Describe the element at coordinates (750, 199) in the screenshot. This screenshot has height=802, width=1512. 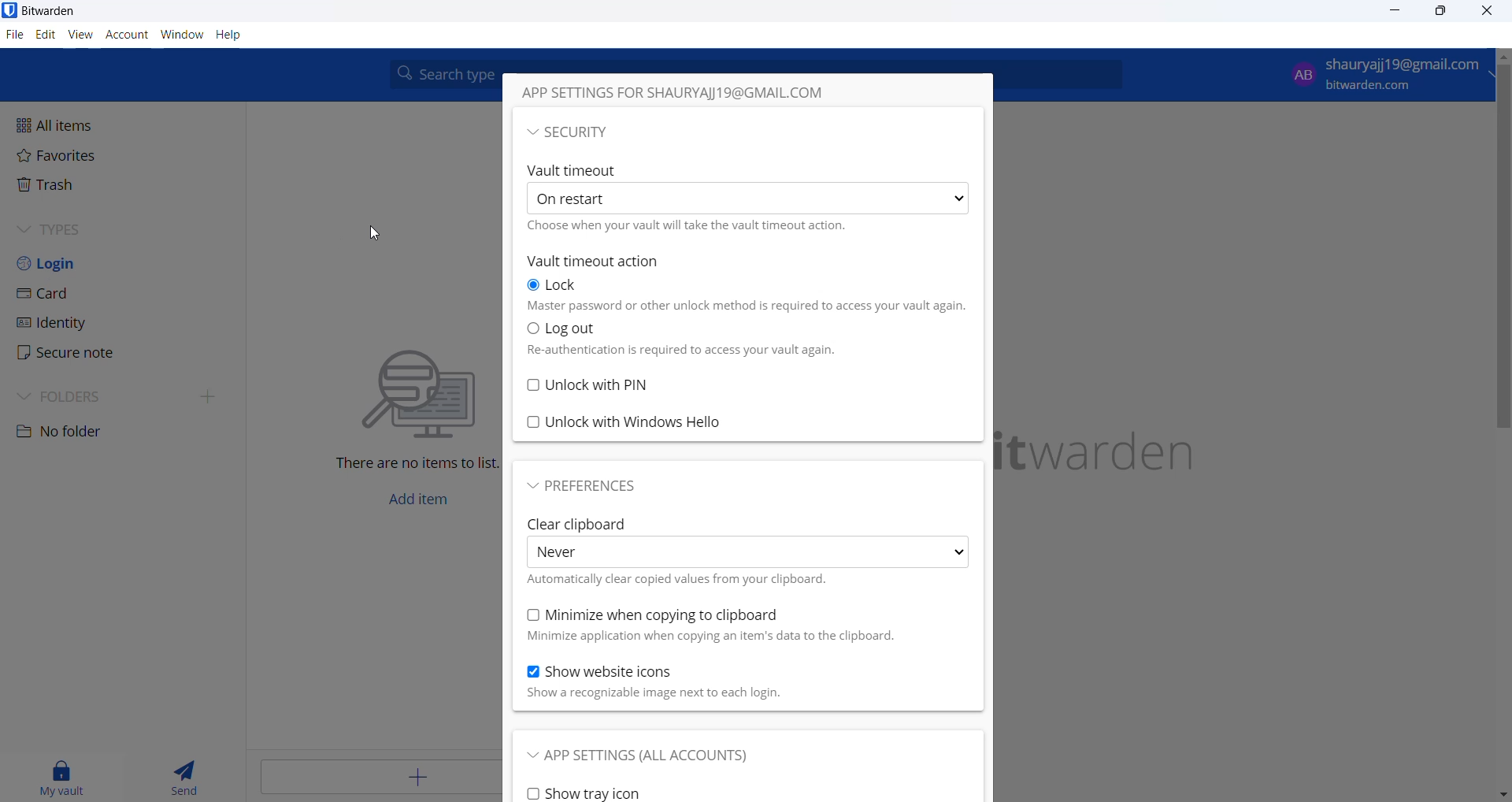
I see `on restart` at that location.